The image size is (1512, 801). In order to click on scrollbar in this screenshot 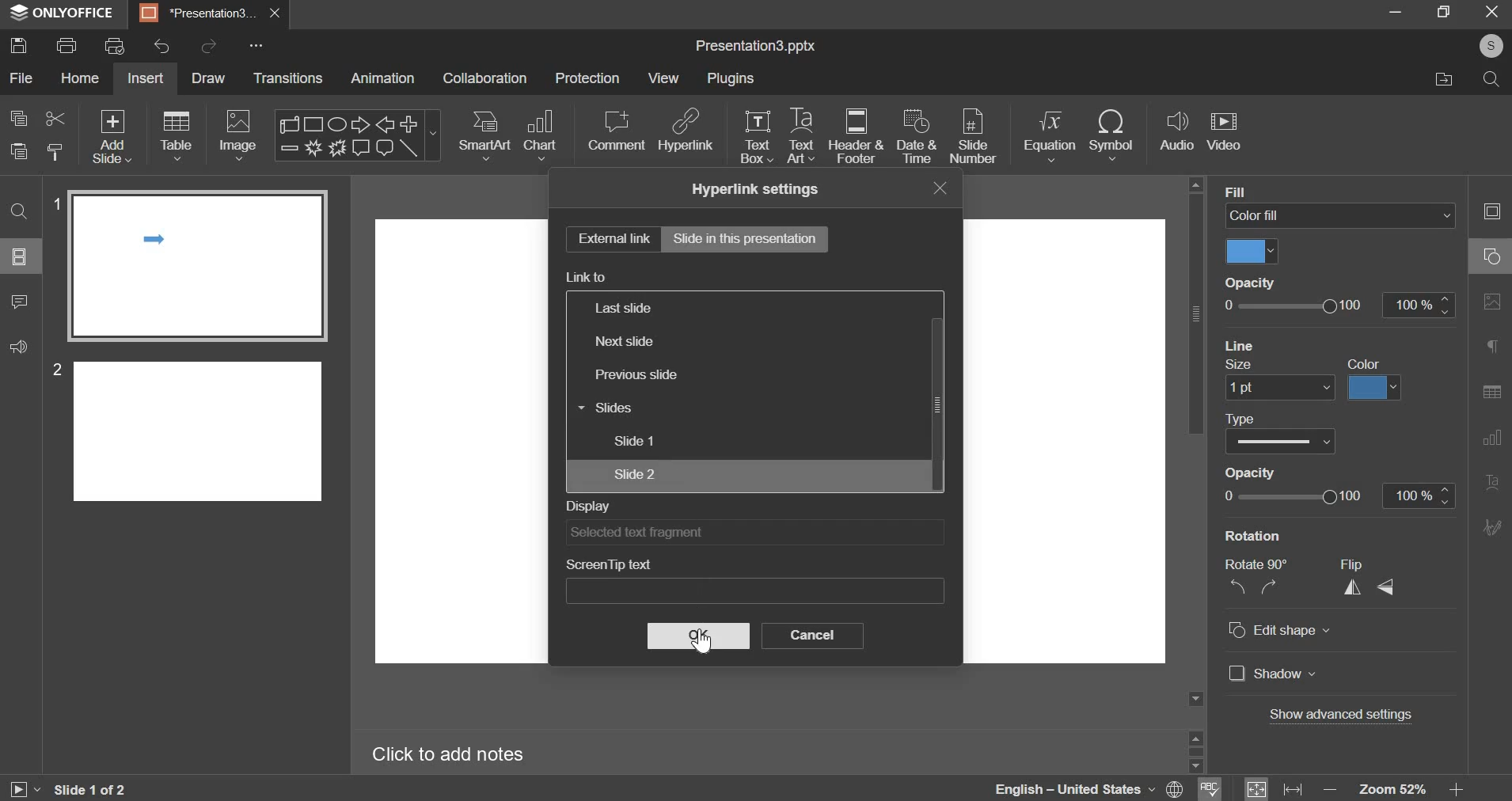, I will do `click(1195, 751)`.